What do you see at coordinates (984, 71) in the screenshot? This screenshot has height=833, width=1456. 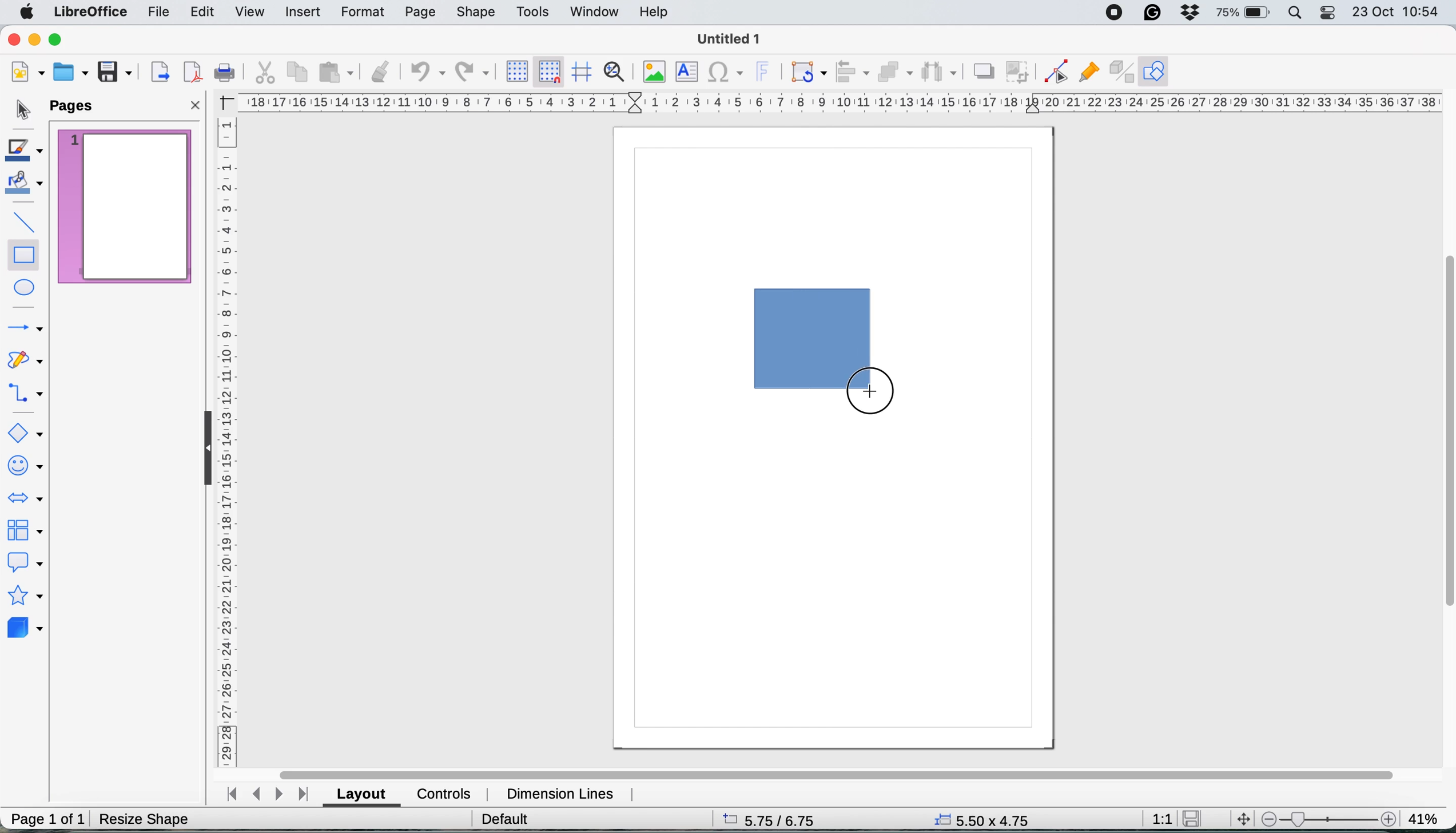 I see `shadow` at bounding box center [984, 71].